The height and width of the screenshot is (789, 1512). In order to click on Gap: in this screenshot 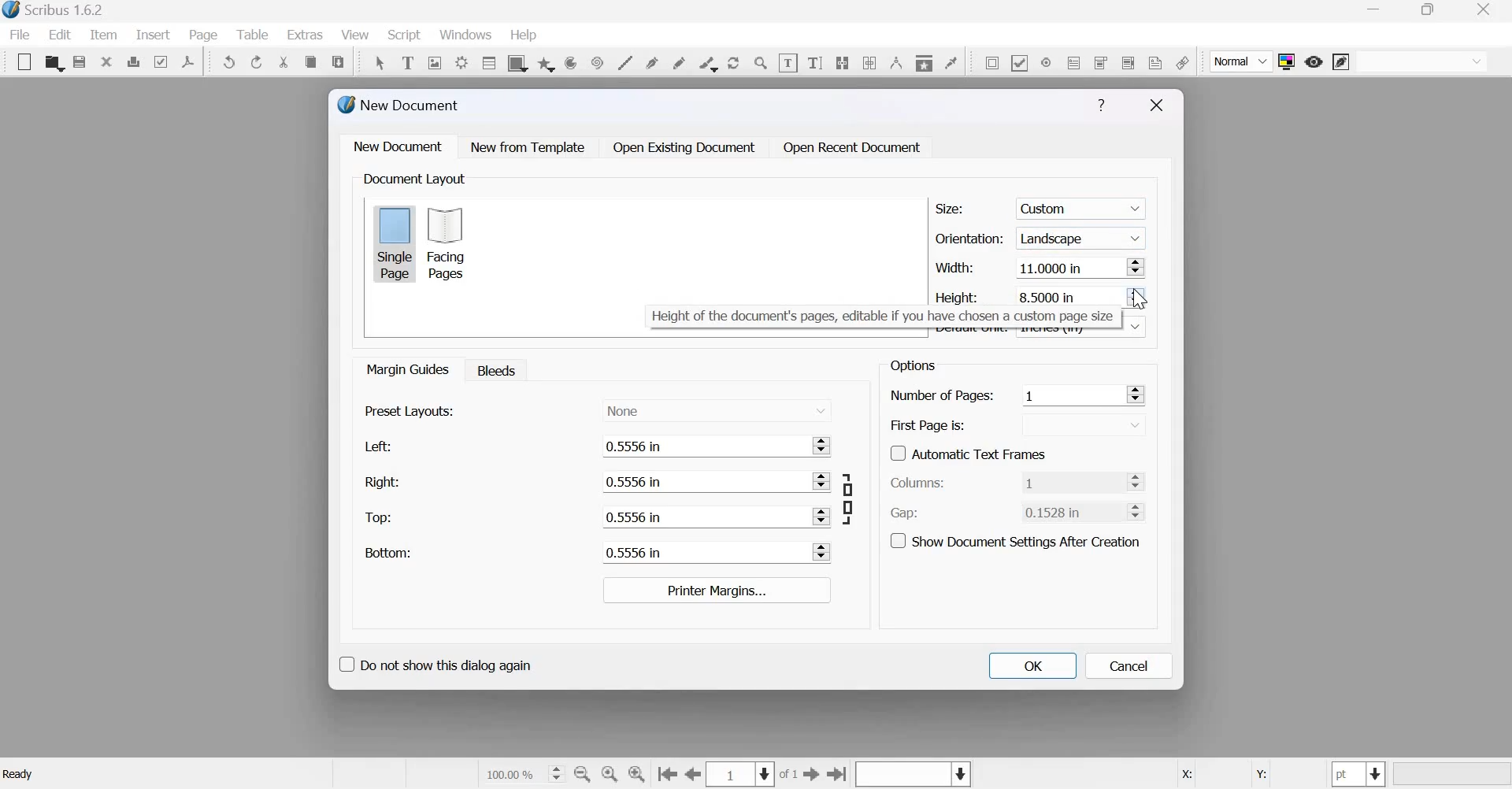, I will do `click(905, 513)`.